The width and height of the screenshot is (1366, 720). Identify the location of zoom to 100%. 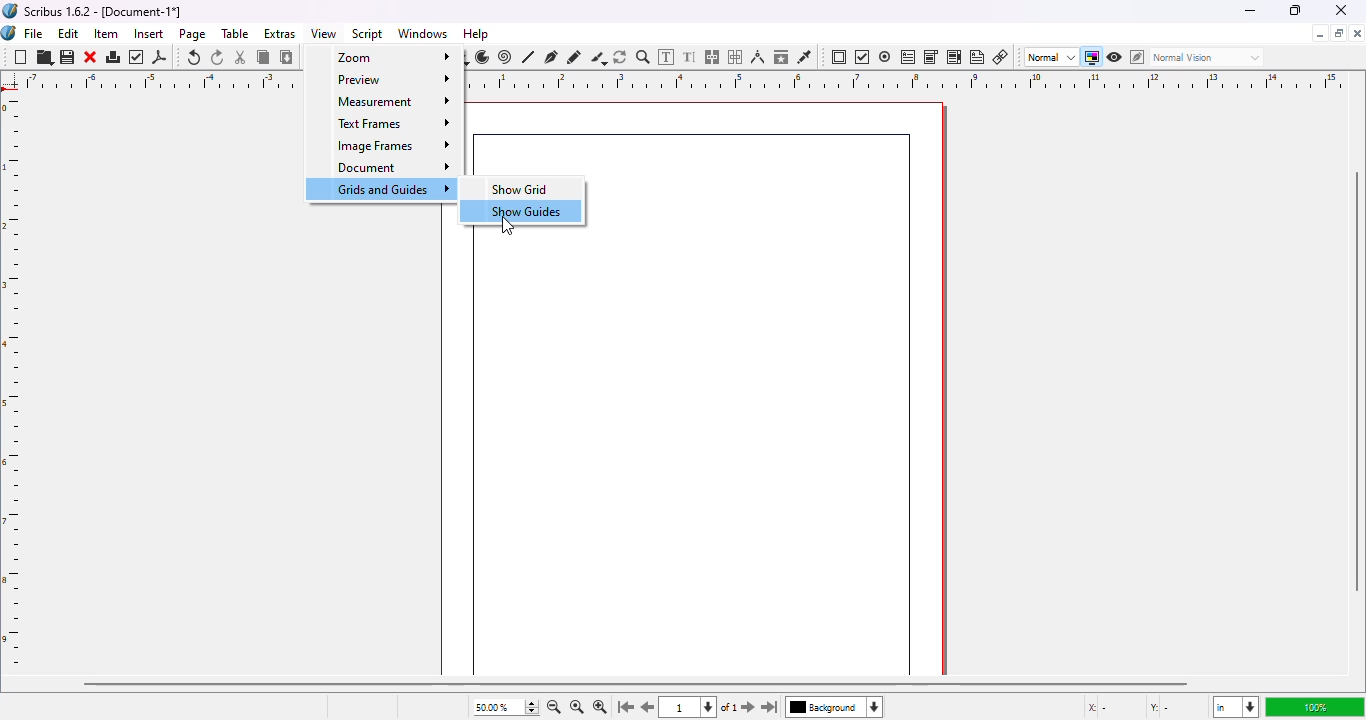
(575, 708).